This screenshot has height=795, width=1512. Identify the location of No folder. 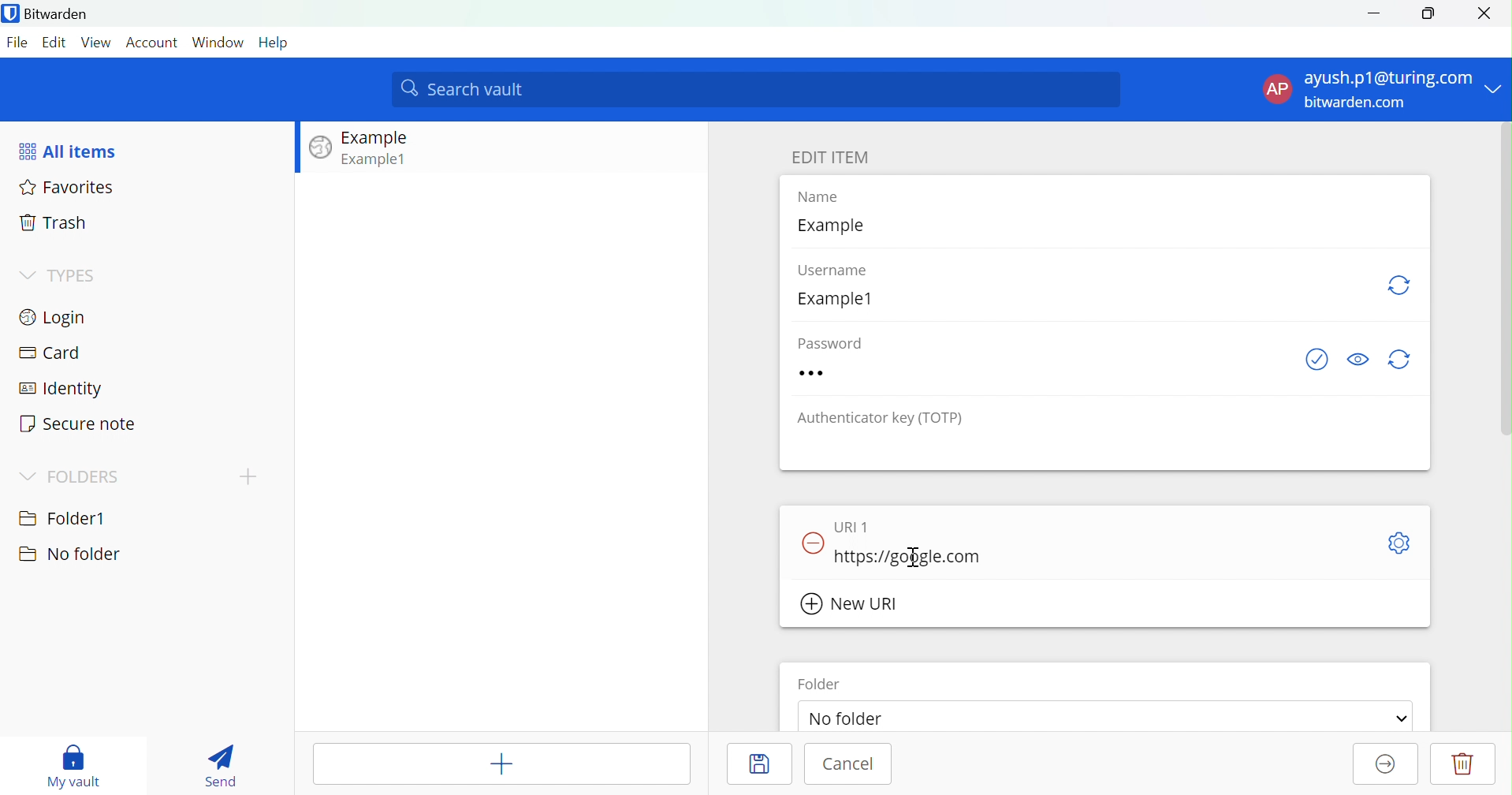
(69, 554).